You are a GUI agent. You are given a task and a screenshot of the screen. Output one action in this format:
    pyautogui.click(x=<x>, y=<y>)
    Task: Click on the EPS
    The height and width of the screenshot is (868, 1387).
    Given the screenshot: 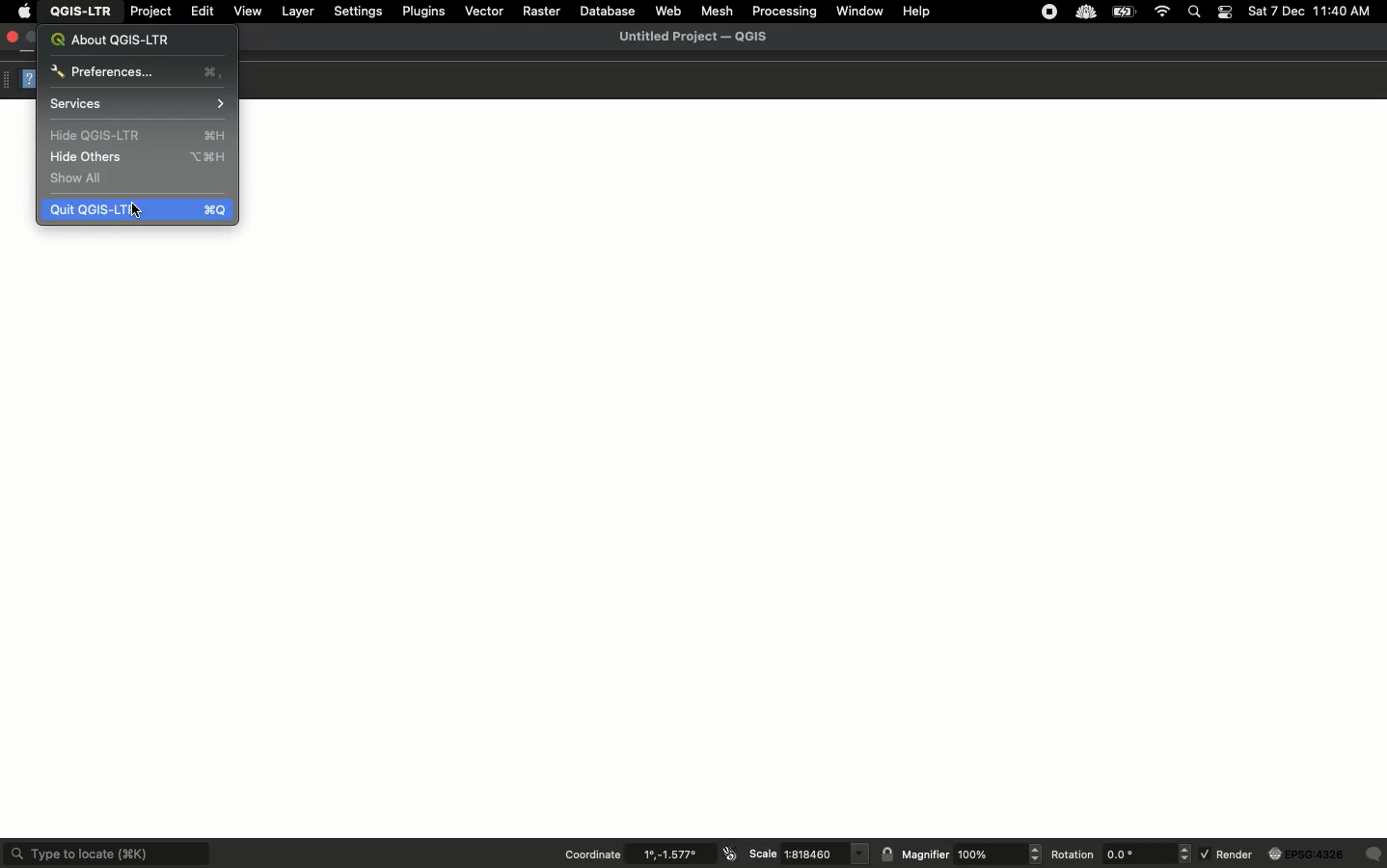 What is the action you would take?
    pyautogui.click(x=1305, y=854)
    